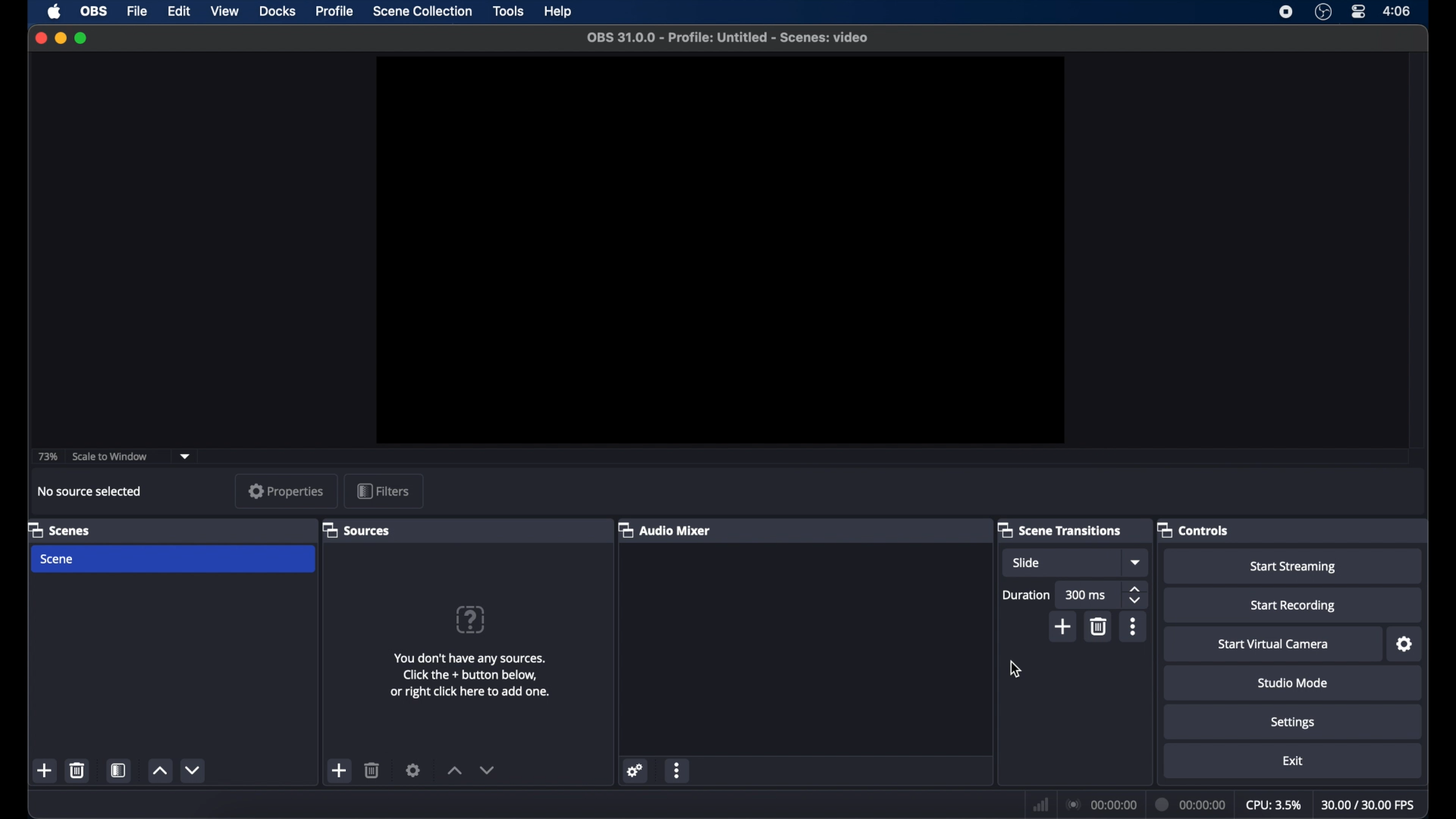 The width and height of the screenshot is (1456, 819). I want to click on increment, so click(453, 770).